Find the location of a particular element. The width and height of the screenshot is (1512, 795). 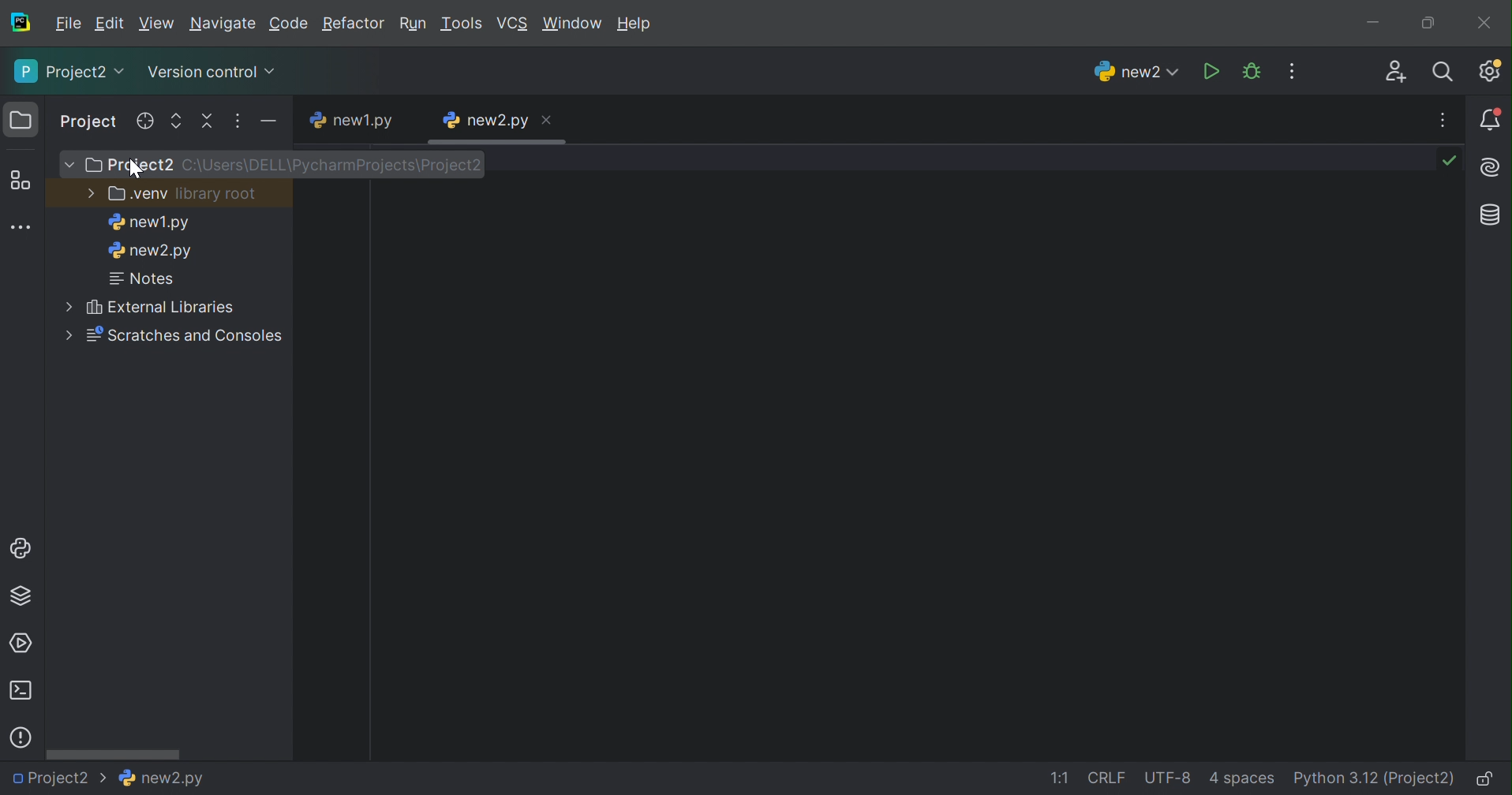

More is located at coordinates (65, 304).